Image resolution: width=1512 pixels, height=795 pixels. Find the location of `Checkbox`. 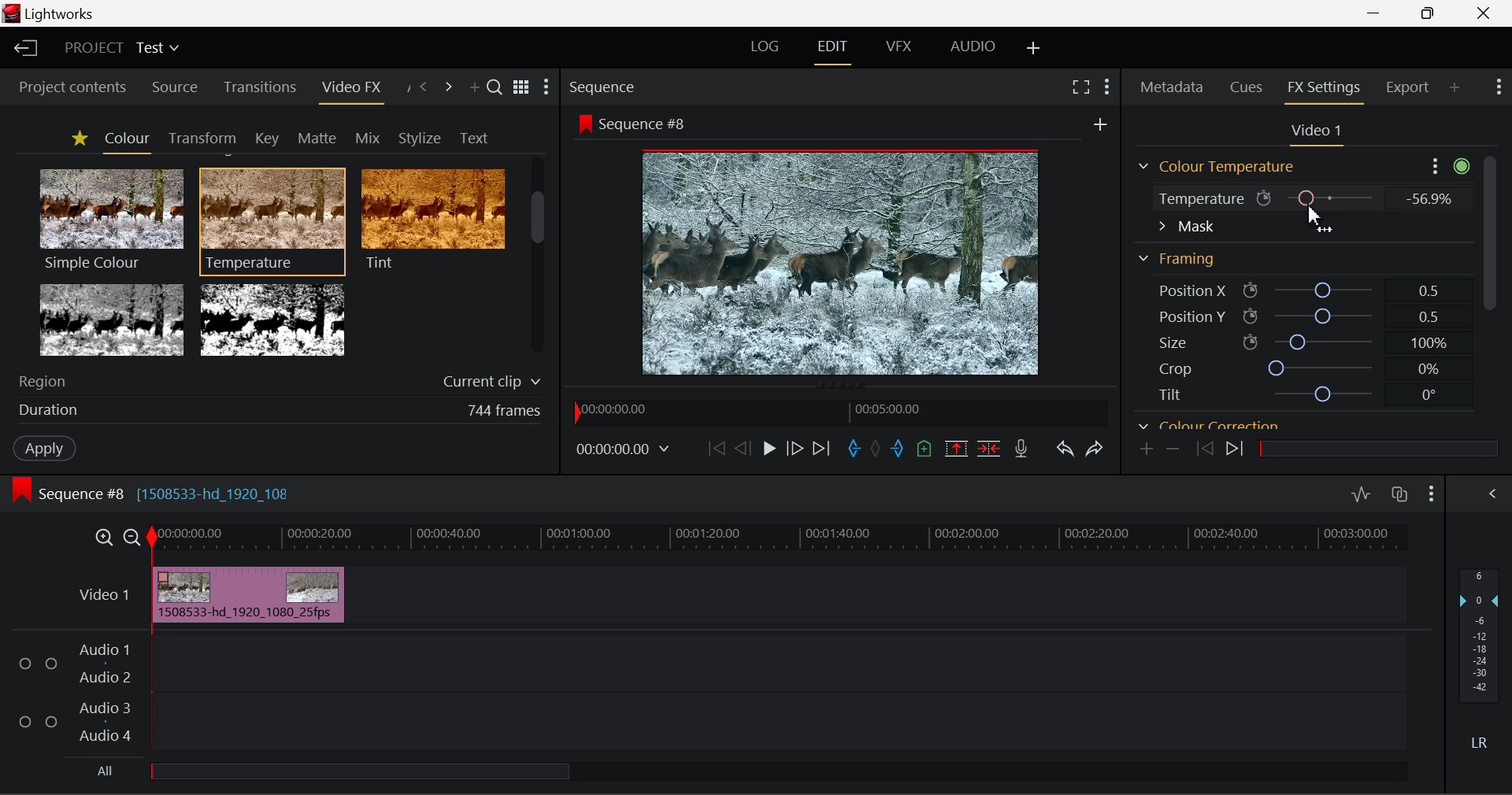

Checkbox is located at coordinates (25, 720).